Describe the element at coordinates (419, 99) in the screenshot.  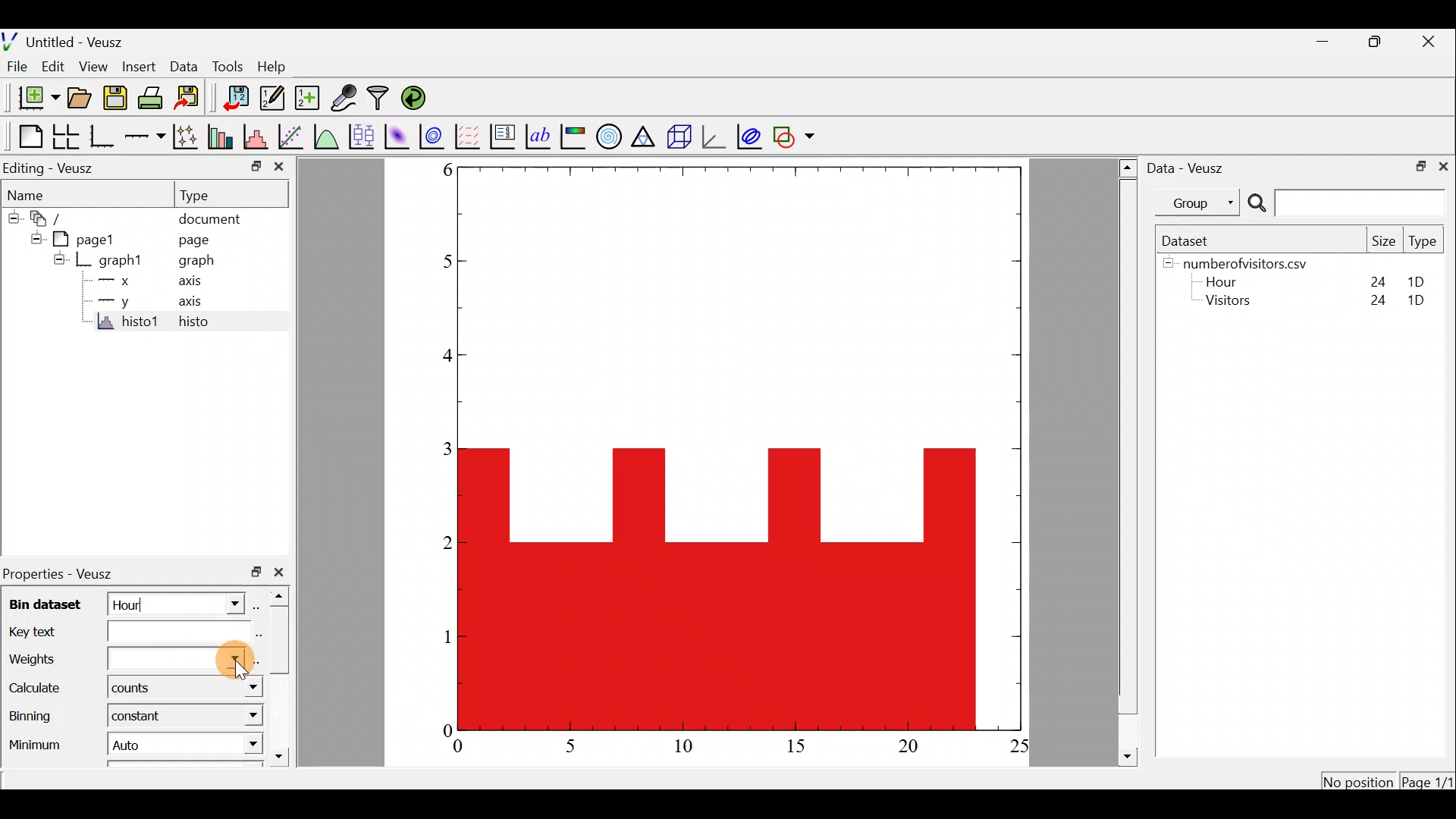
I see `reload linked datasets` at that location.